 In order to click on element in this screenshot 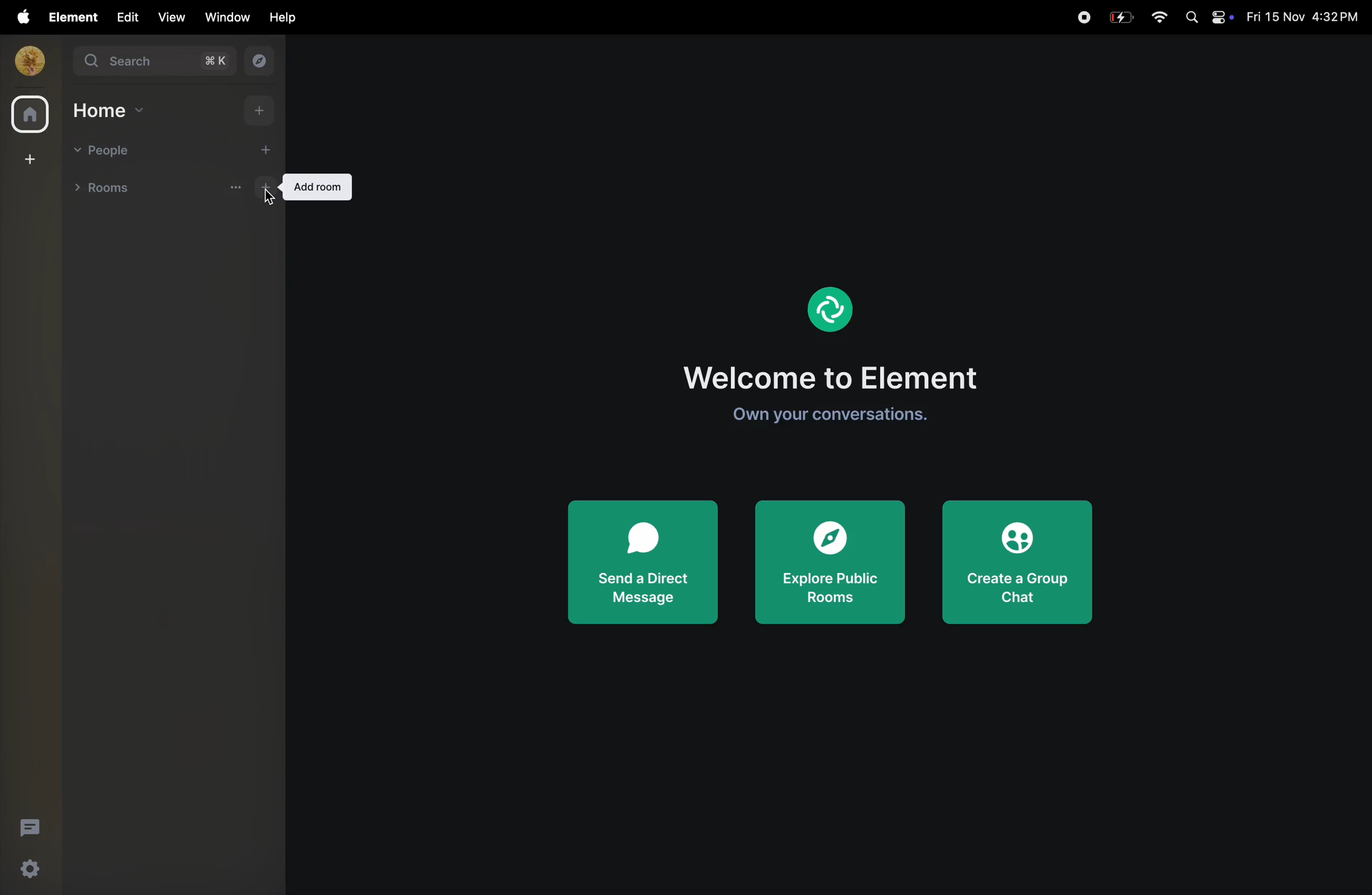, I will do `click(828, 307)`.